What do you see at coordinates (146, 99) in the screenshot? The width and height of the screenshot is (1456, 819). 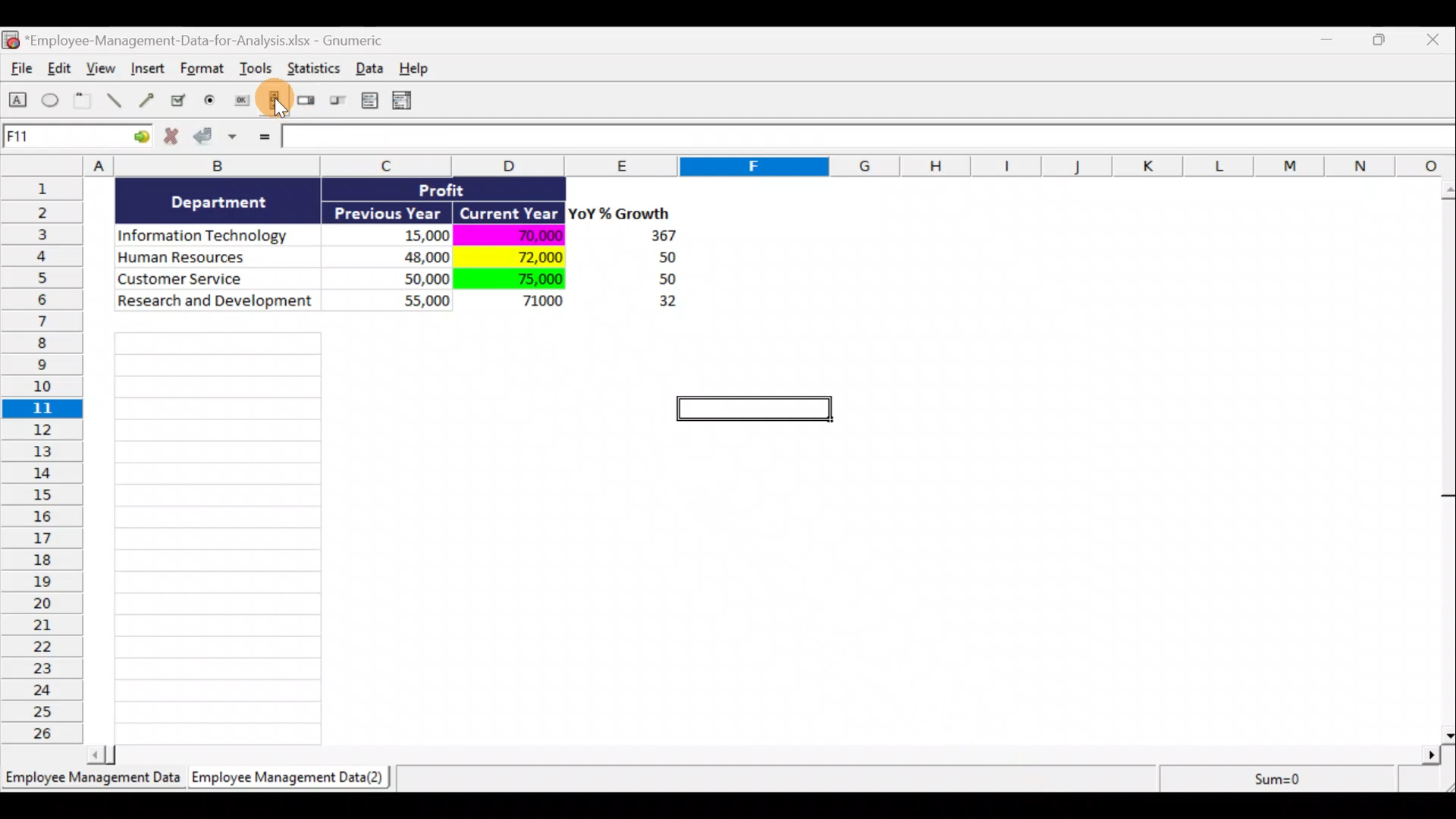 I see `Create an arrow object` at bounding box center [146, 99].